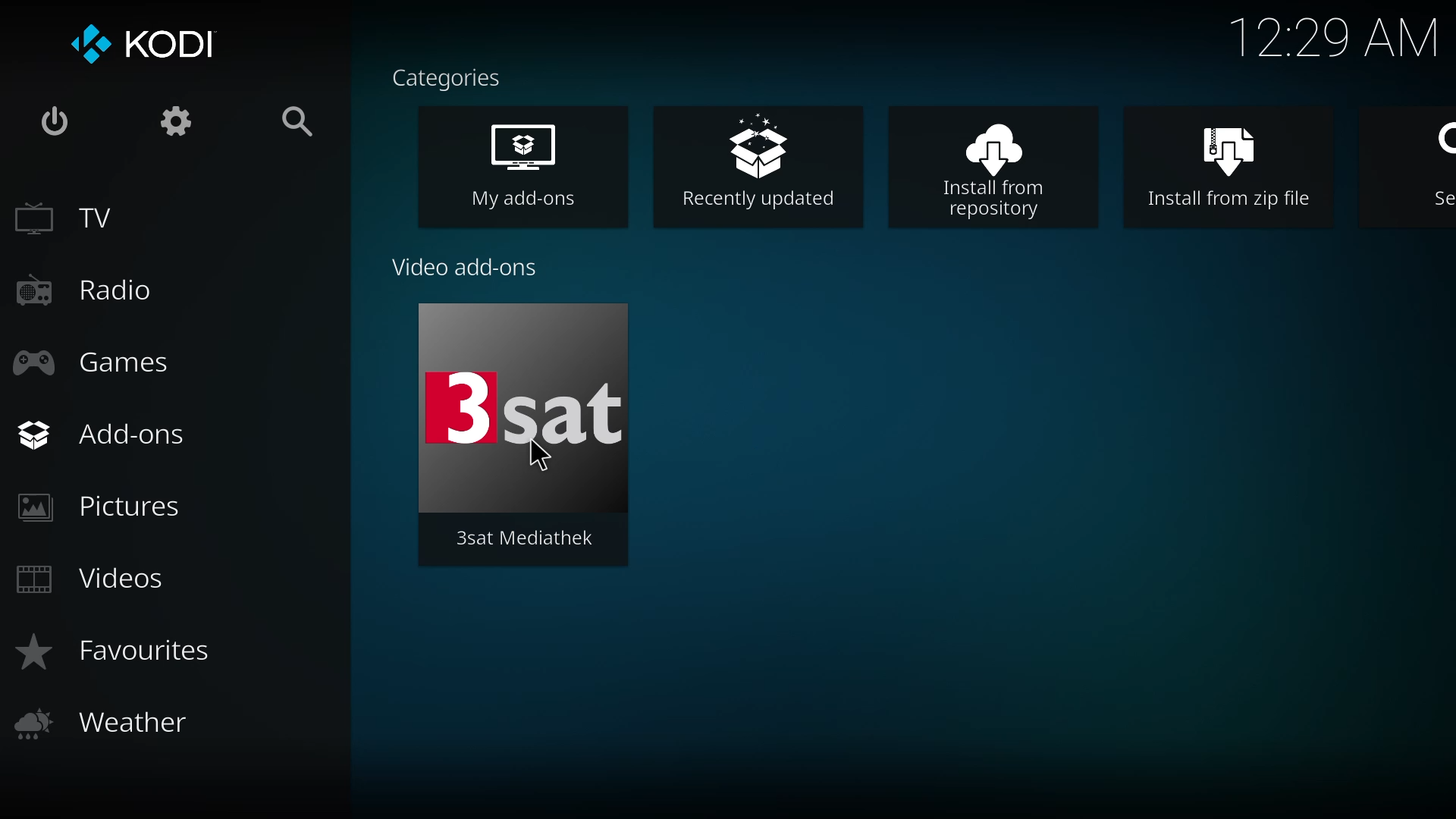  I want to click on categories, so click(447, 78).